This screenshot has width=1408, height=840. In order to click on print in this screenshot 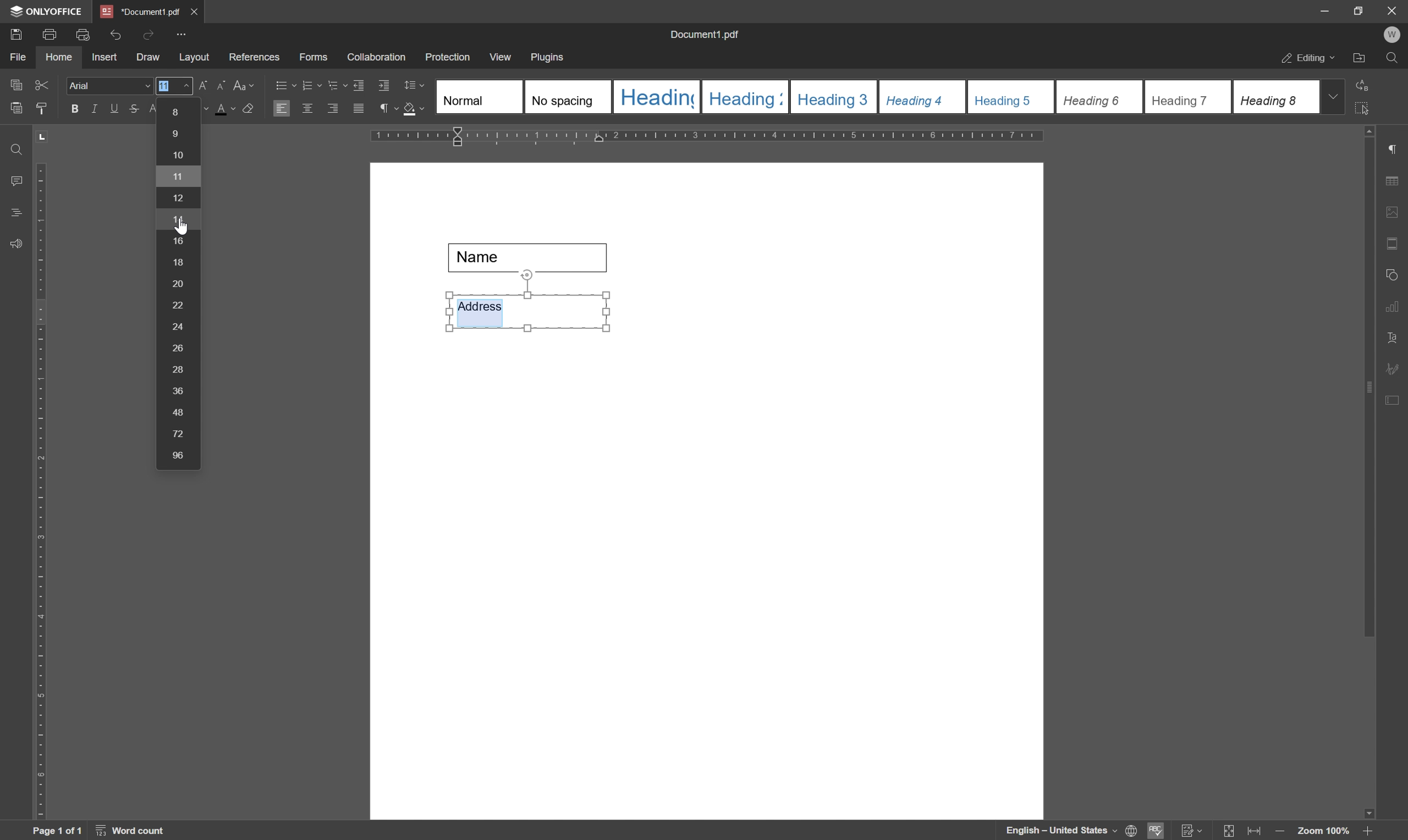, I will do `click(49, 35)`.